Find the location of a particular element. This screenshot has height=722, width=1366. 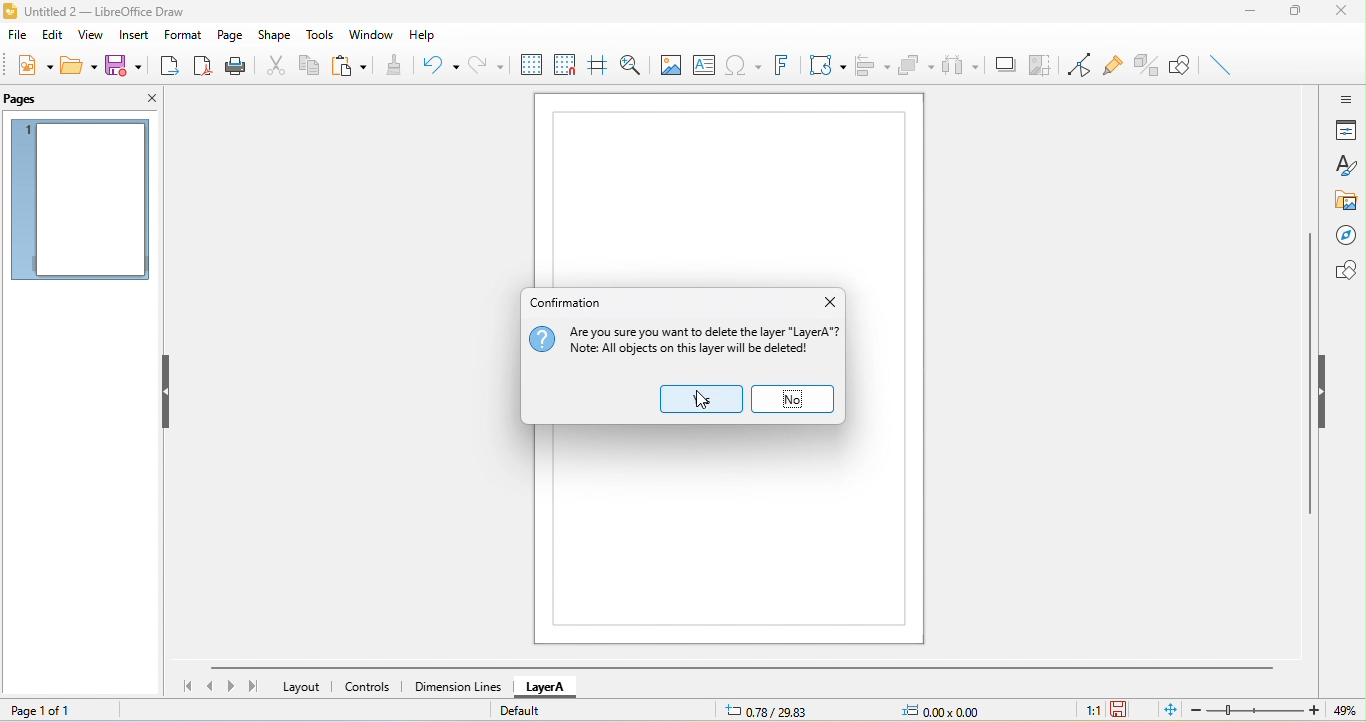

gluepoint function is located at coordinates (1112, 66).